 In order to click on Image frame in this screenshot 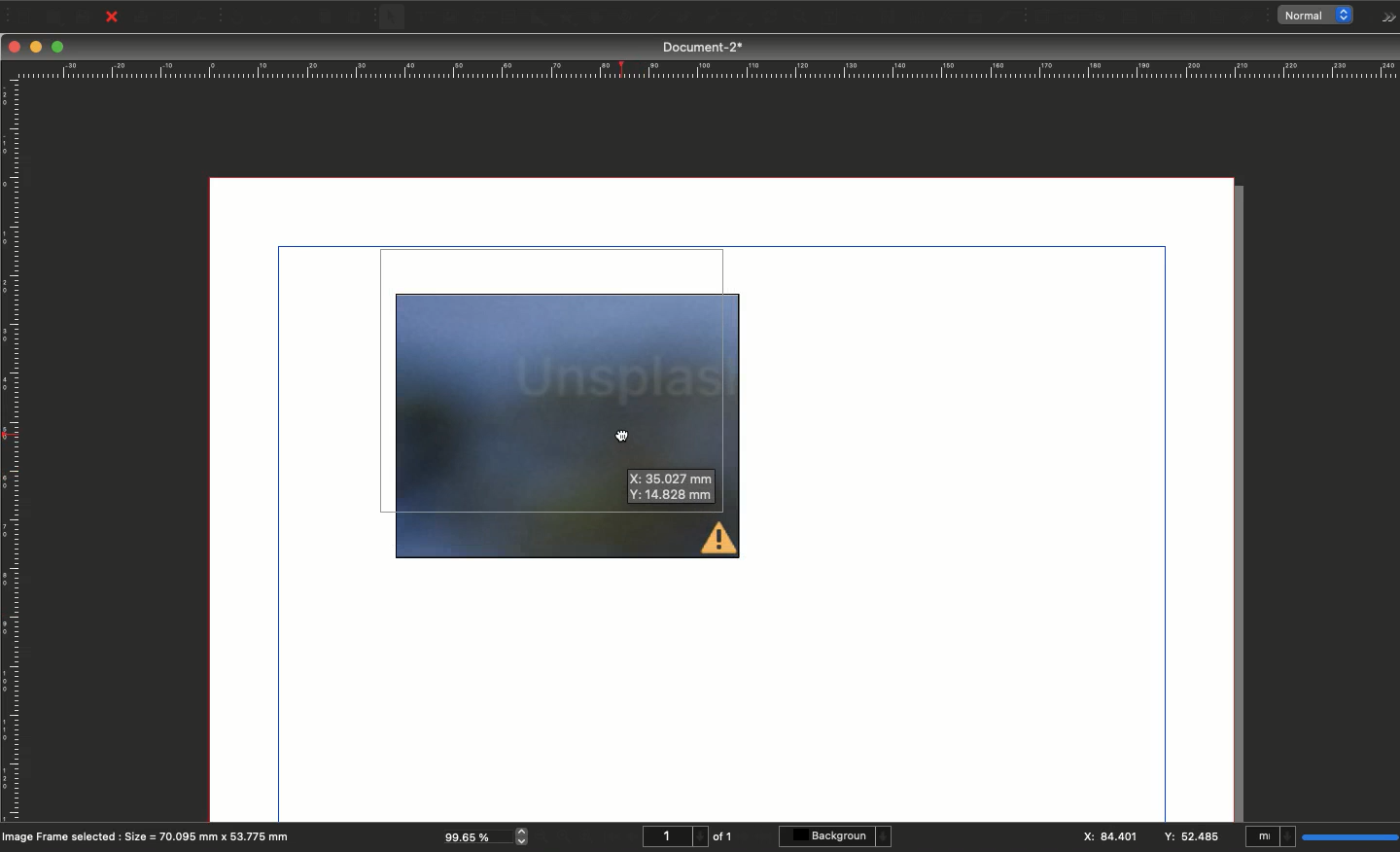, I will do `click(453, 19)`.